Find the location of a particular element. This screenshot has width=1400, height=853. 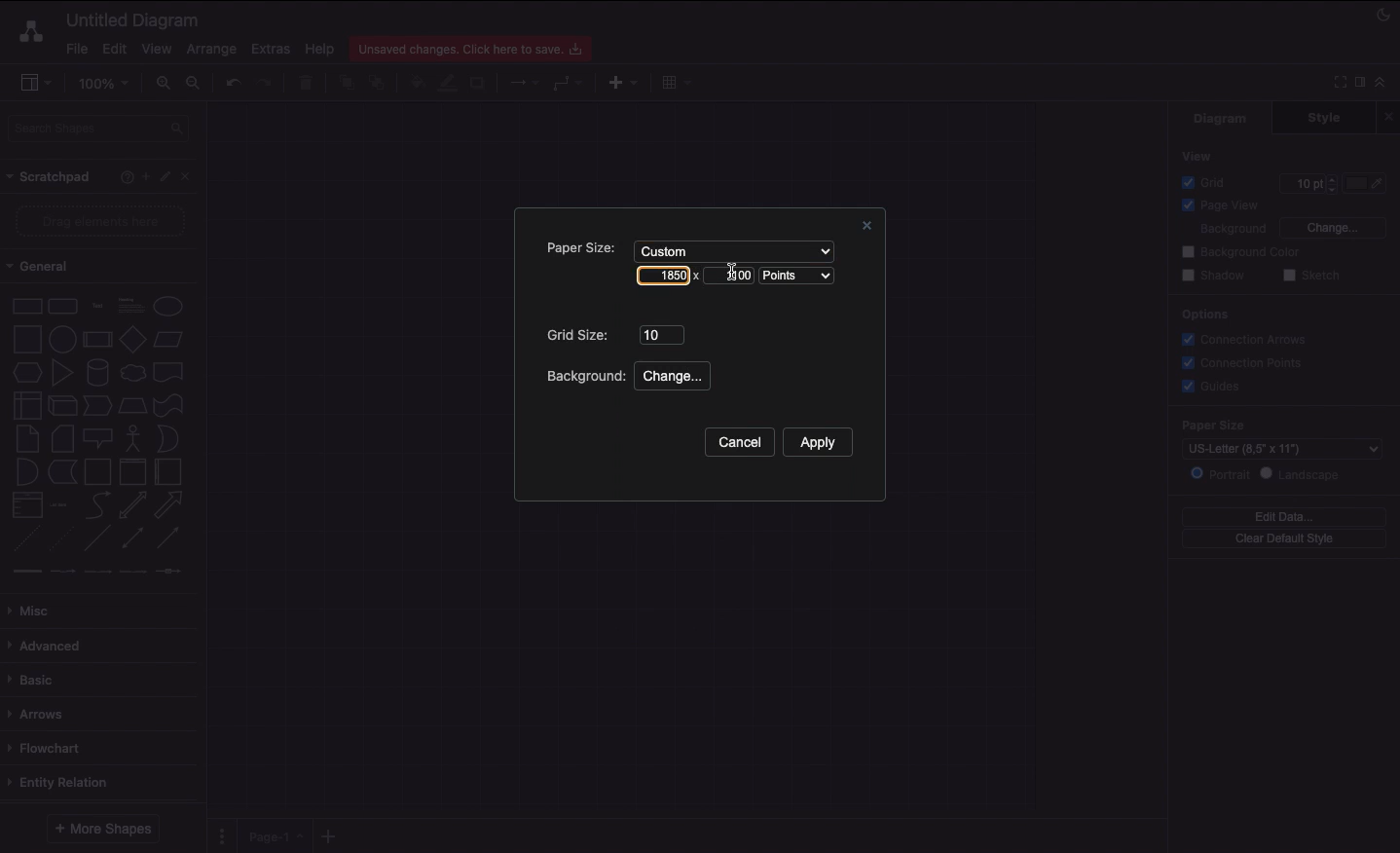

Extras is located at coordinates (271, 48).